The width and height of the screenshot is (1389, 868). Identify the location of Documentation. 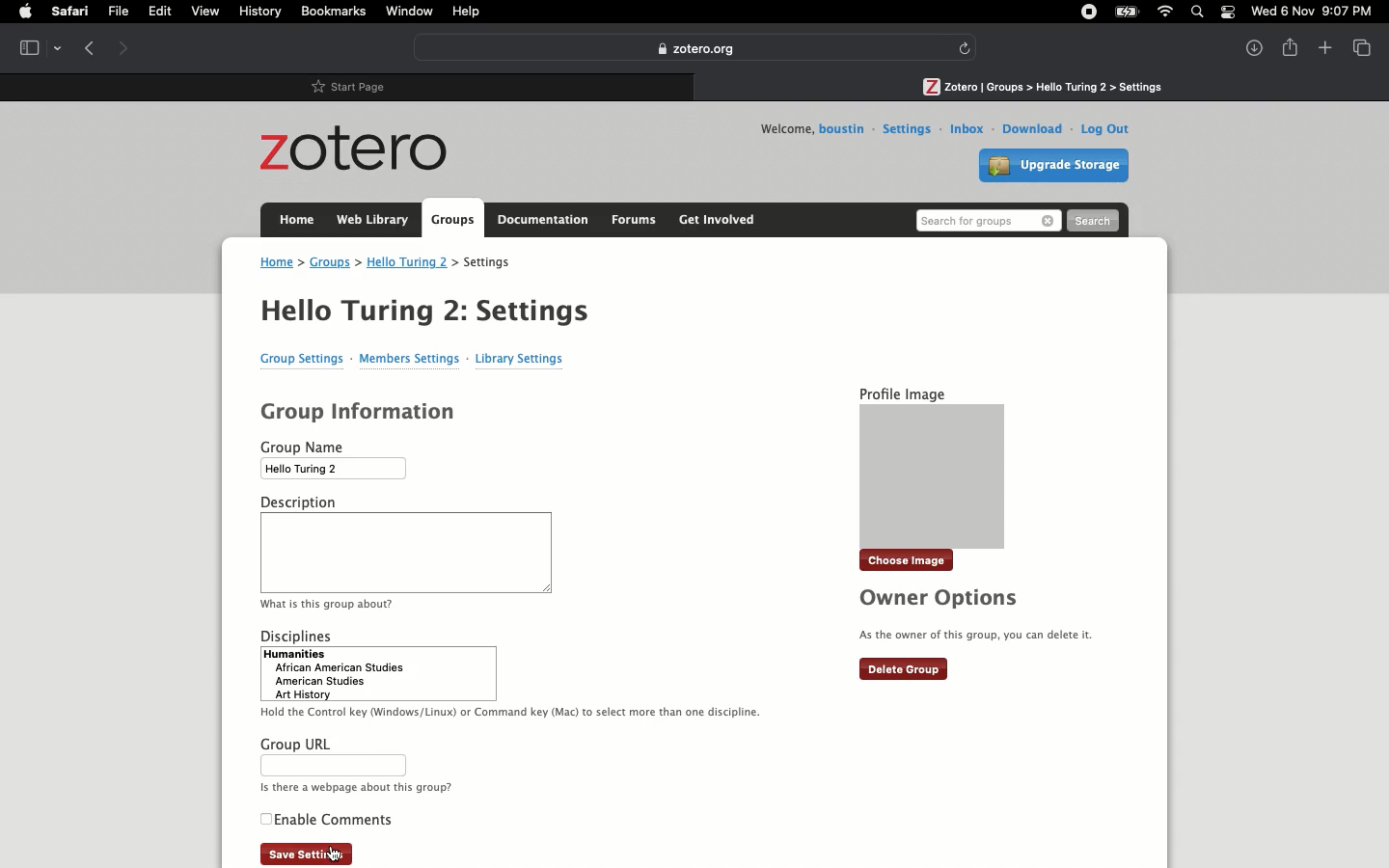
(543, 220).